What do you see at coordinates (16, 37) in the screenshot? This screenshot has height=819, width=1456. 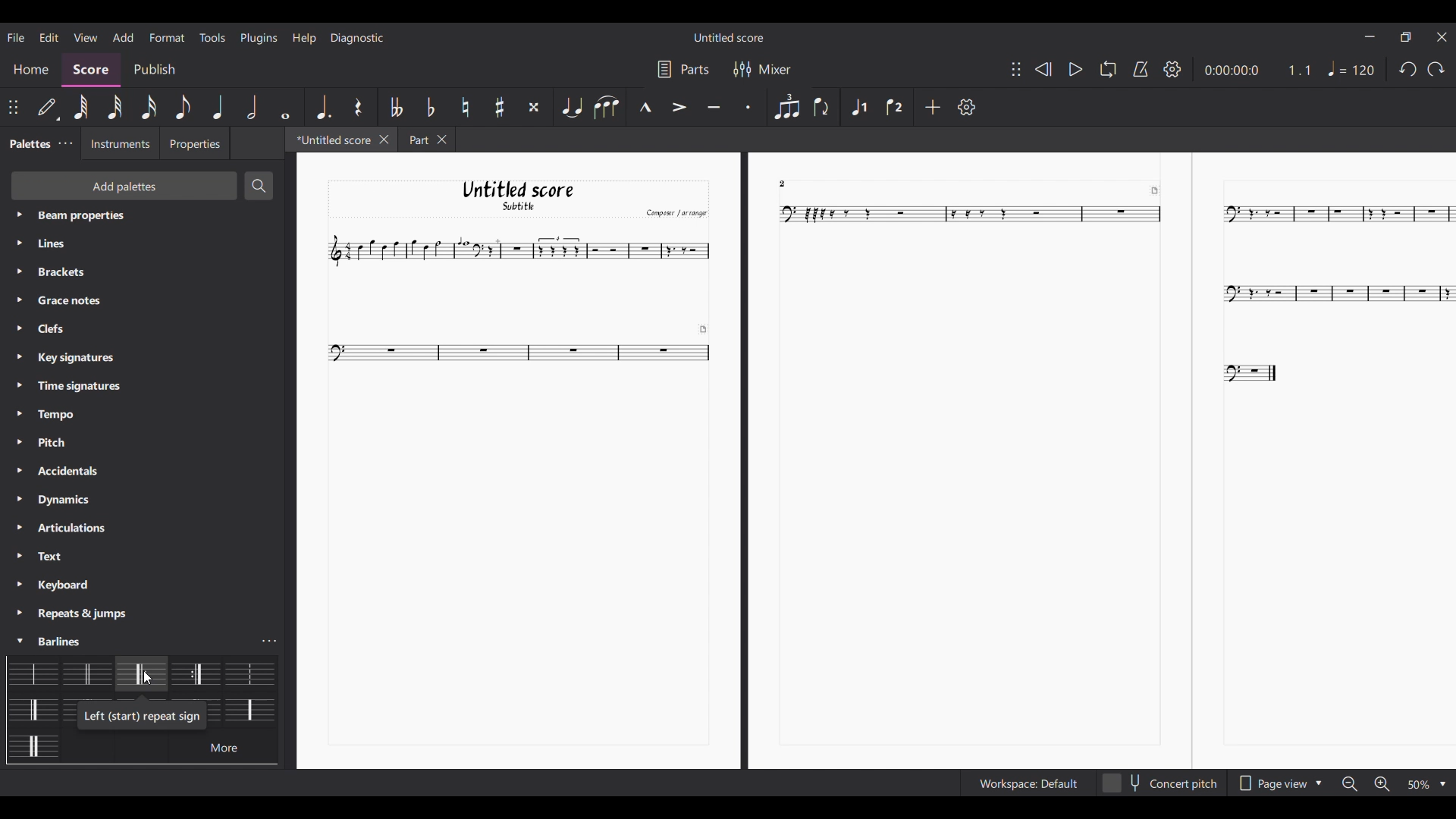 I see `File menu ` at bounding box center [16, 37].